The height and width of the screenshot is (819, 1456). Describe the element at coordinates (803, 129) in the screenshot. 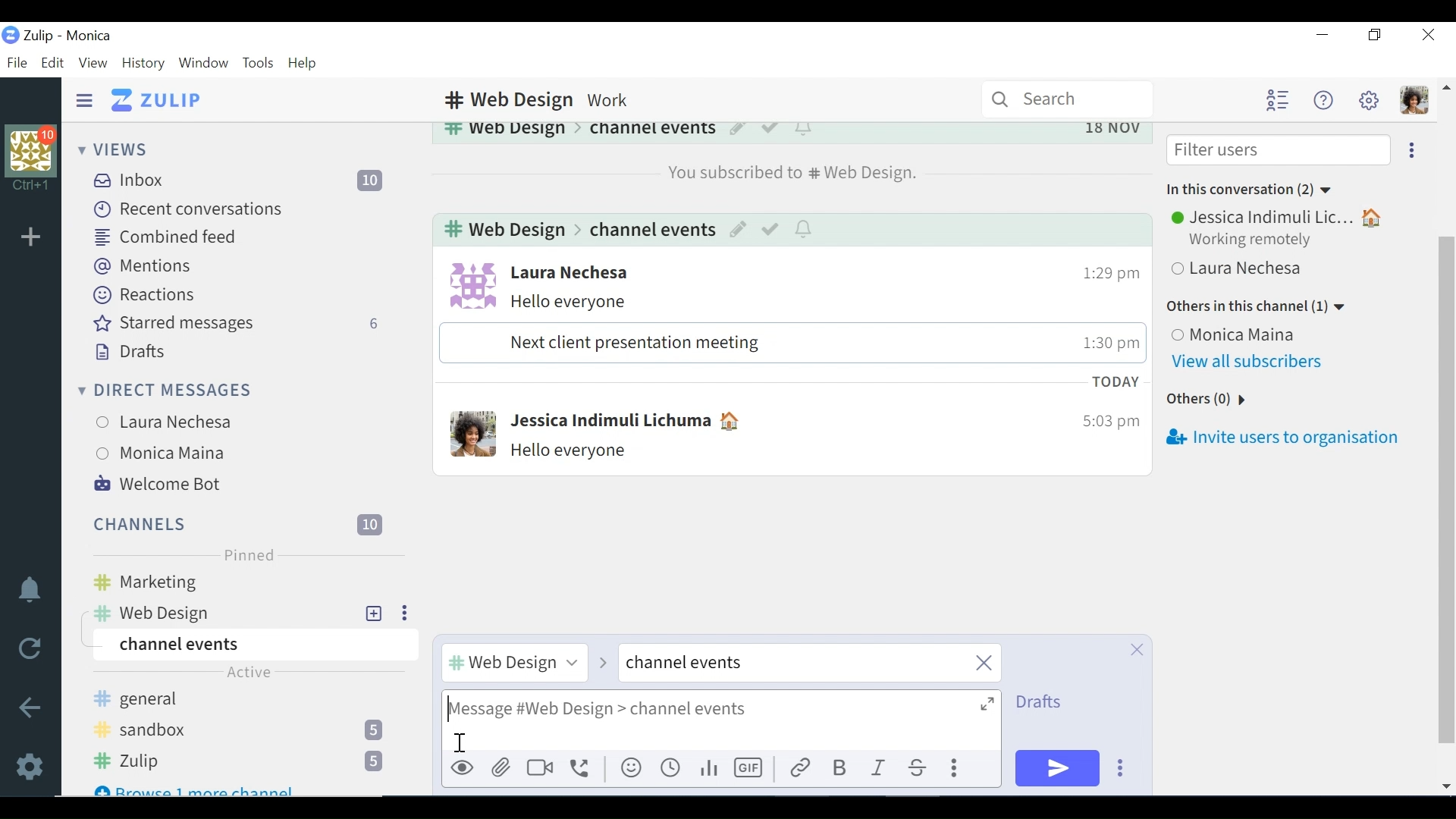

I see `notifications` at that location.